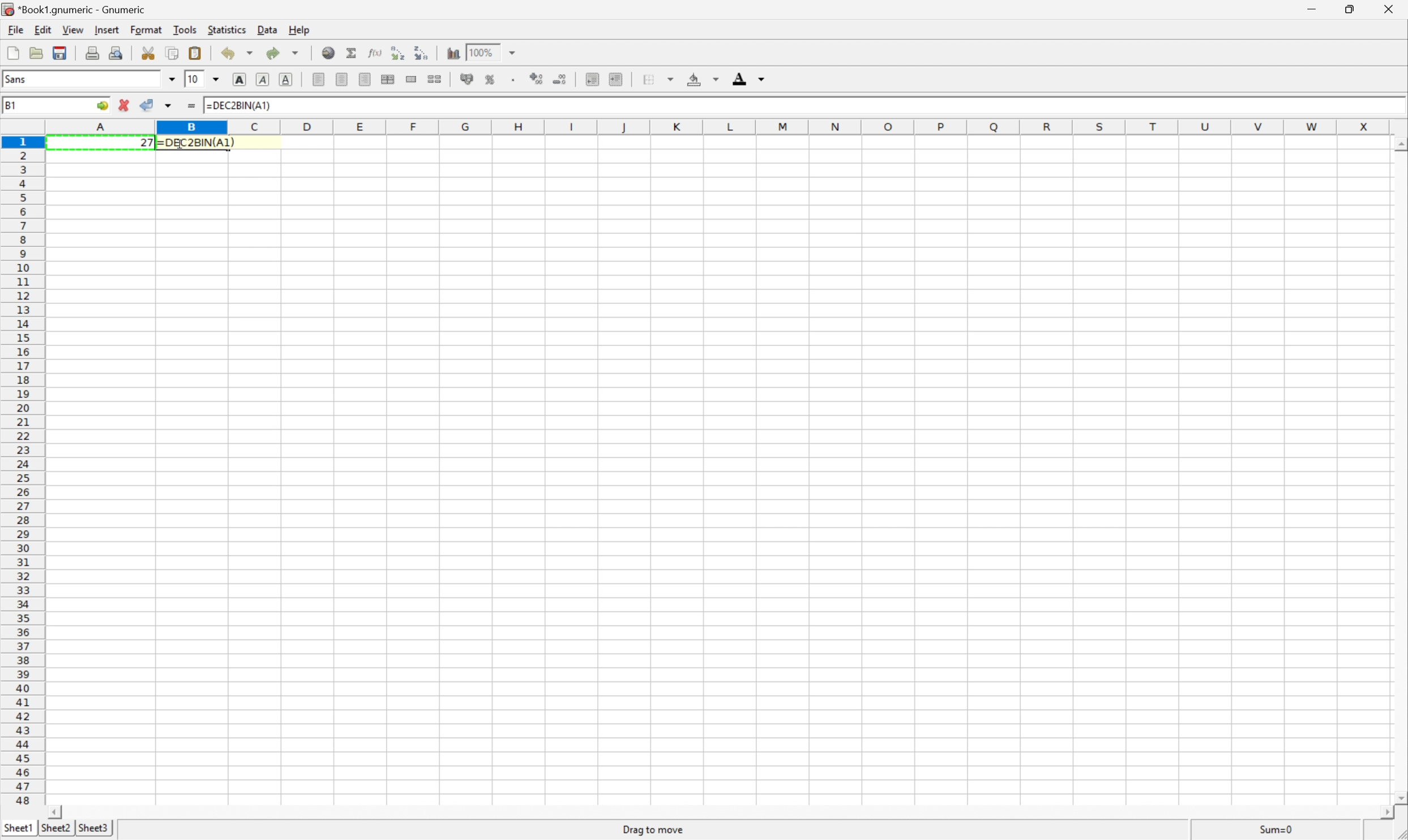 The image size is (1408, 840). Describe the element at coordinates (376, 52) in the screenshot. I see `Edit function in current cell` at that location.